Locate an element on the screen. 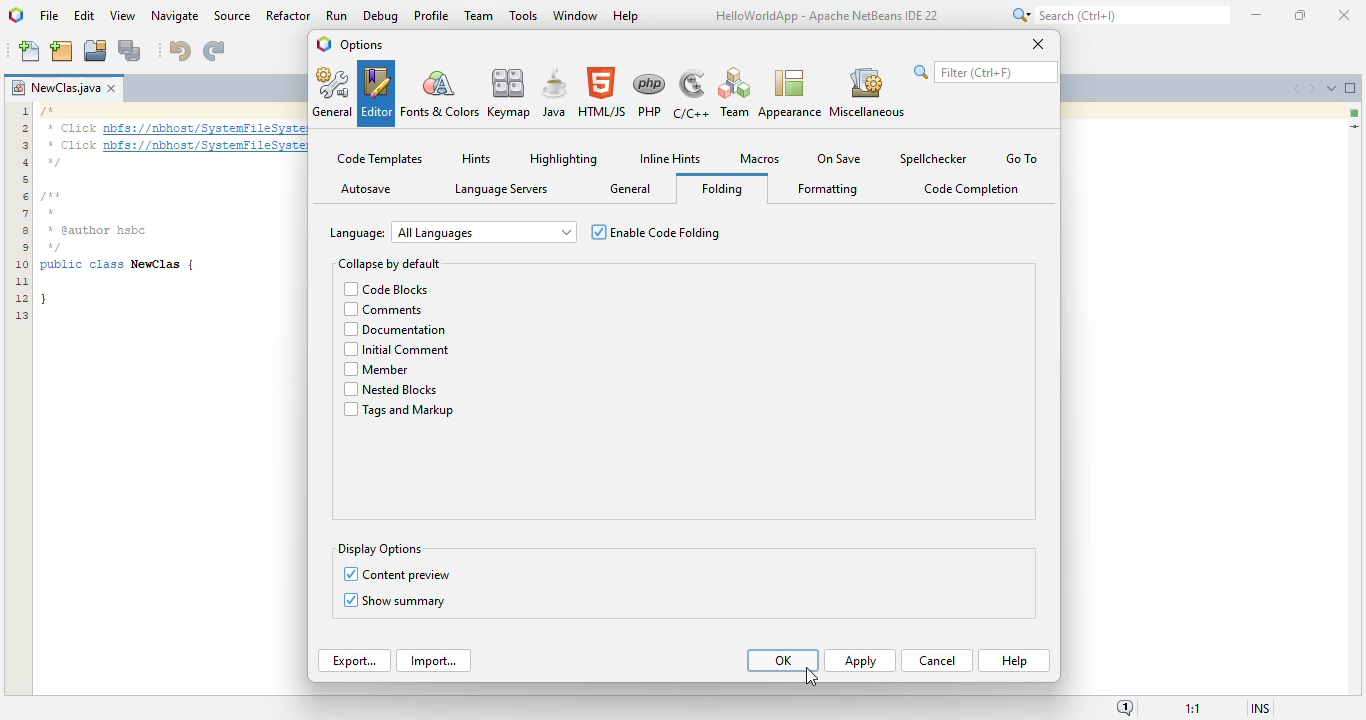  maximize is located at coordinates (1301, 14).